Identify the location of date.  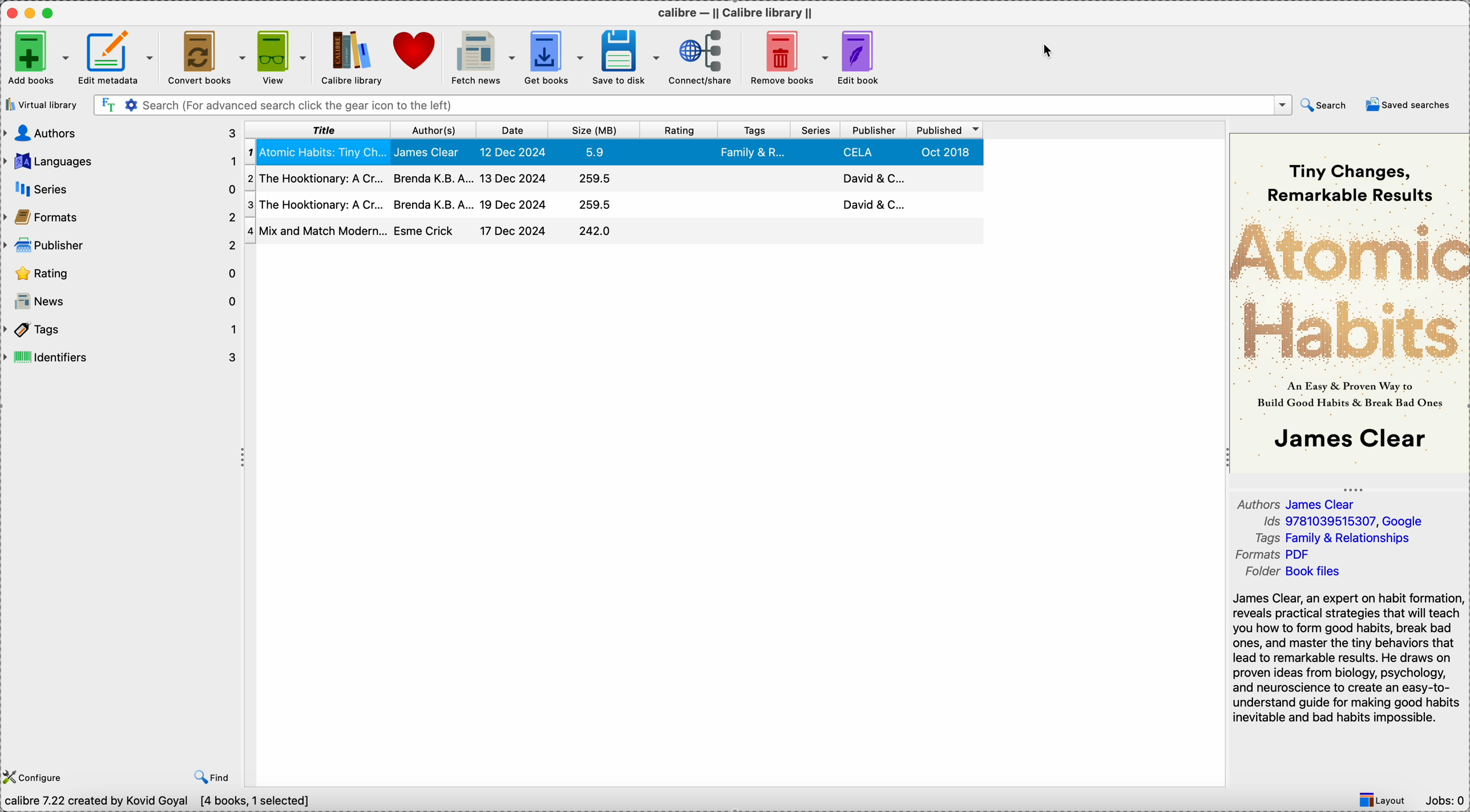
(510, 130).